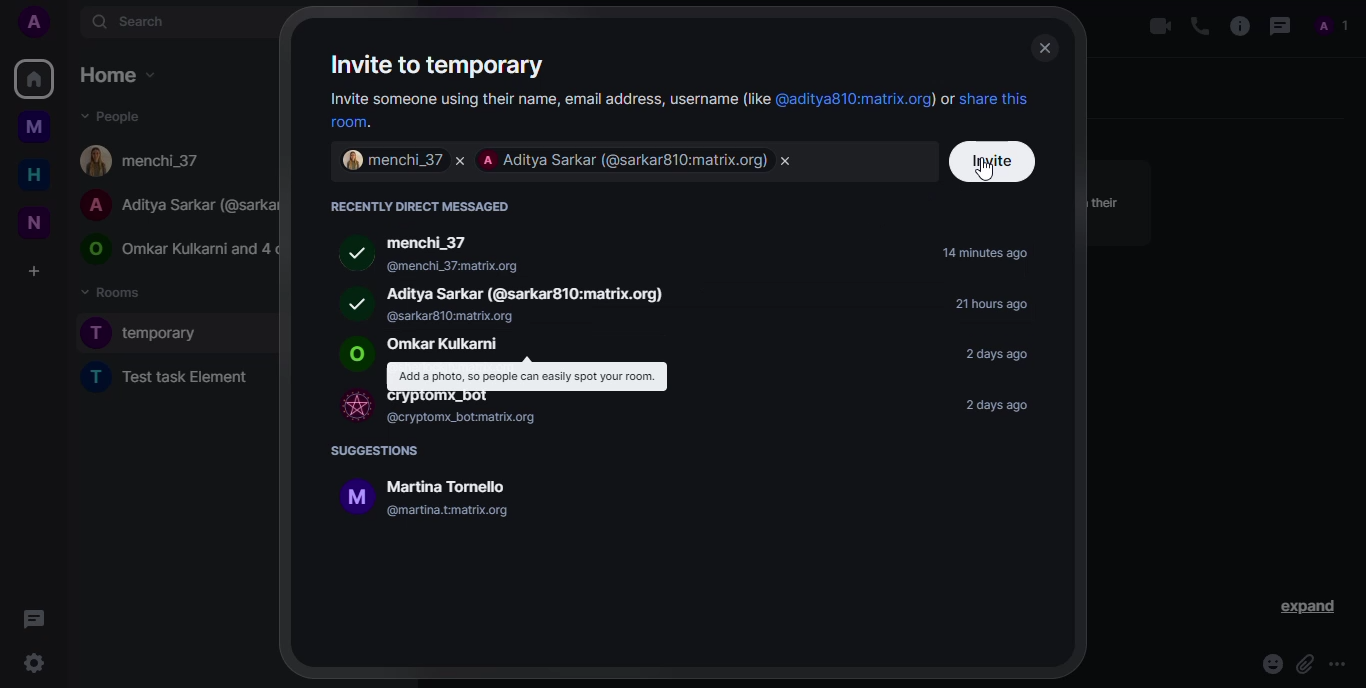  Describe the element at coordinates (791, 163) in the screenshot. I see `clear` at that location.